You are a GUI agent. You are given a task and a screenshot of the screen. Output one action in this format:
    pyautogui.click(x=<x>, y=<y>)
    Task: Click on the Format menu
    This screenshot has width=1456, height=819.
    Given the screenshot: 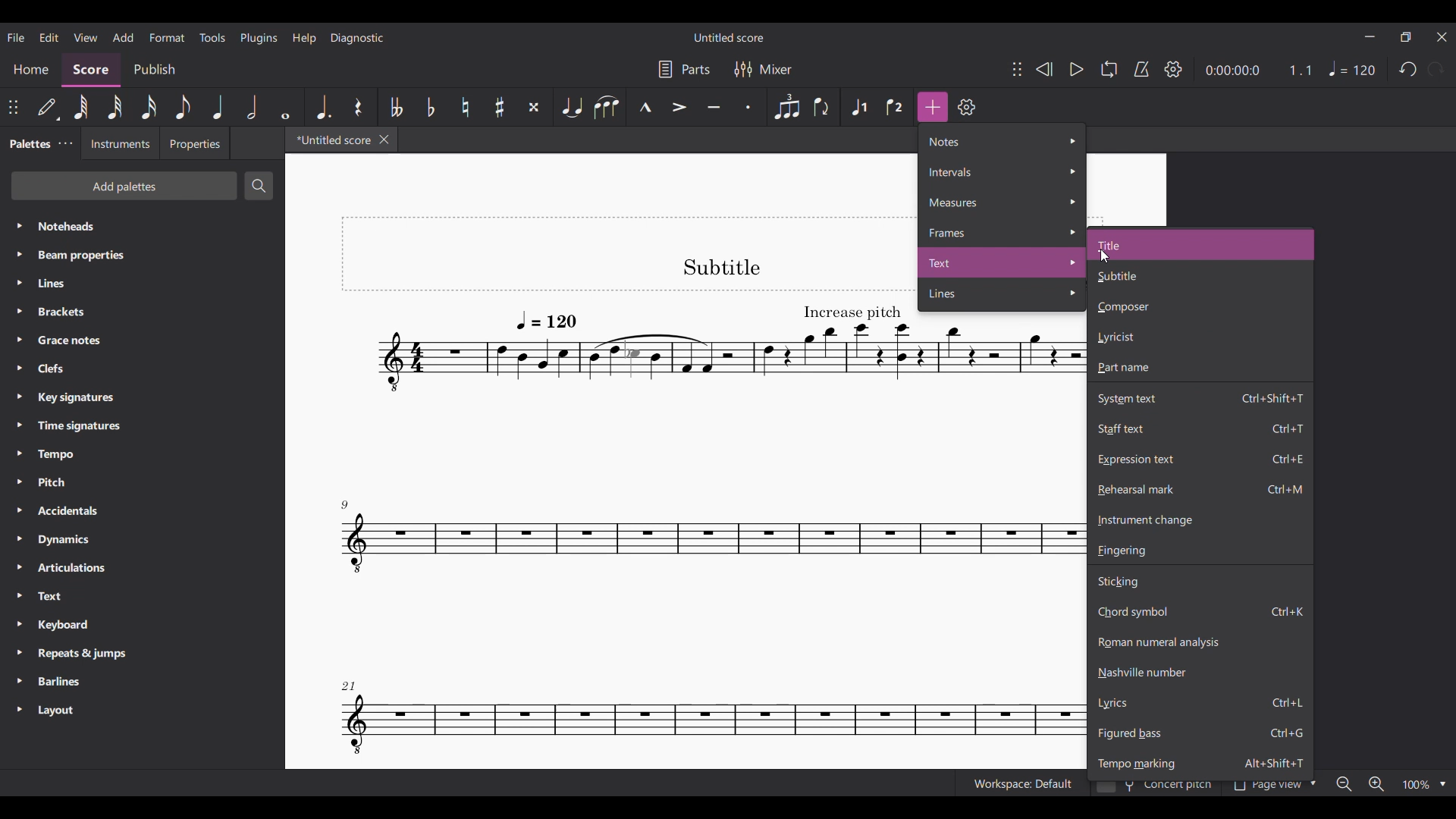 What is the action you would take?
    pyautogui.click(x=167, y=38)
    